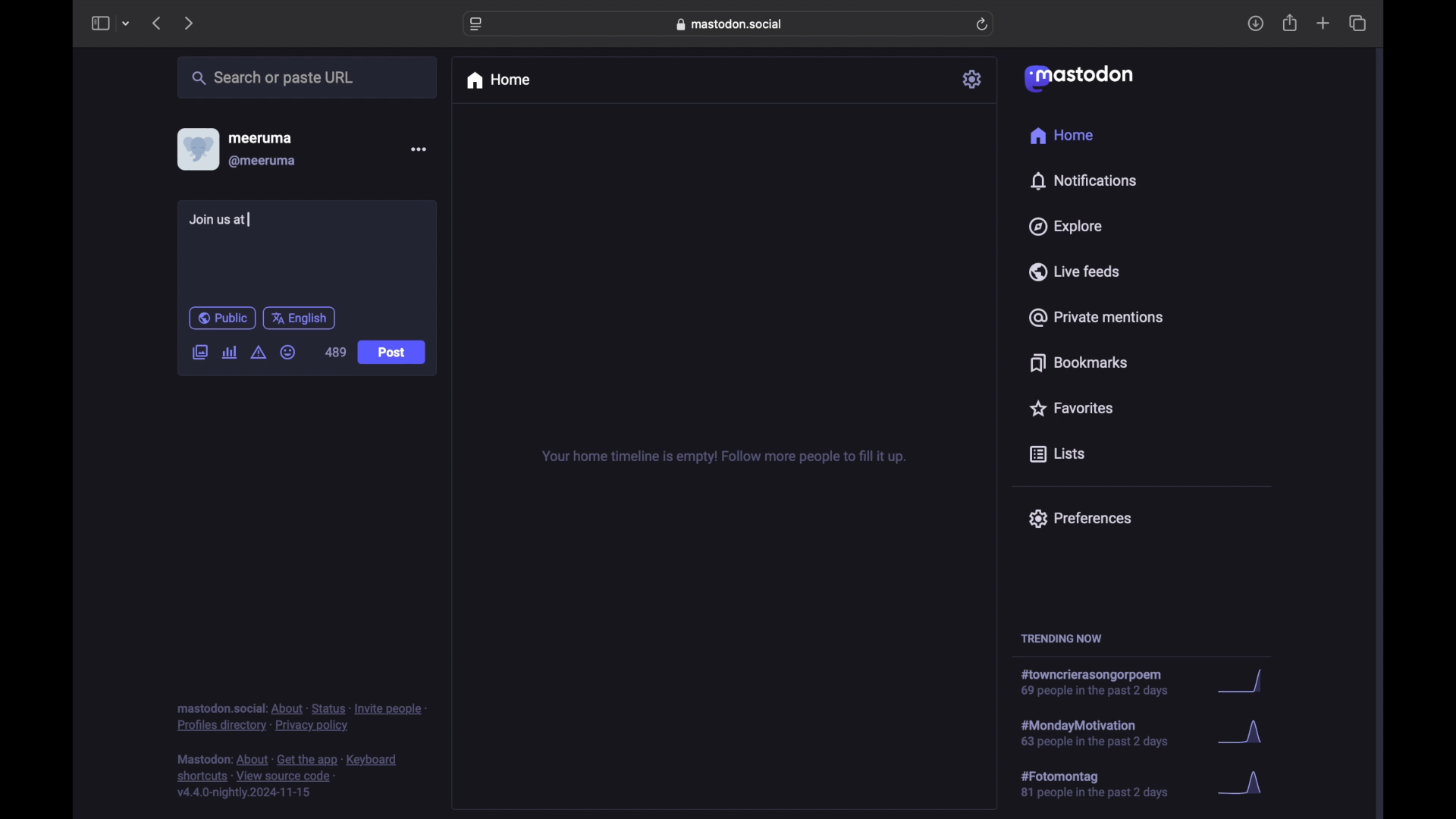 This screenshot has height=819, width=1456. I want to click on hashtag trend, so click(1103, 683).